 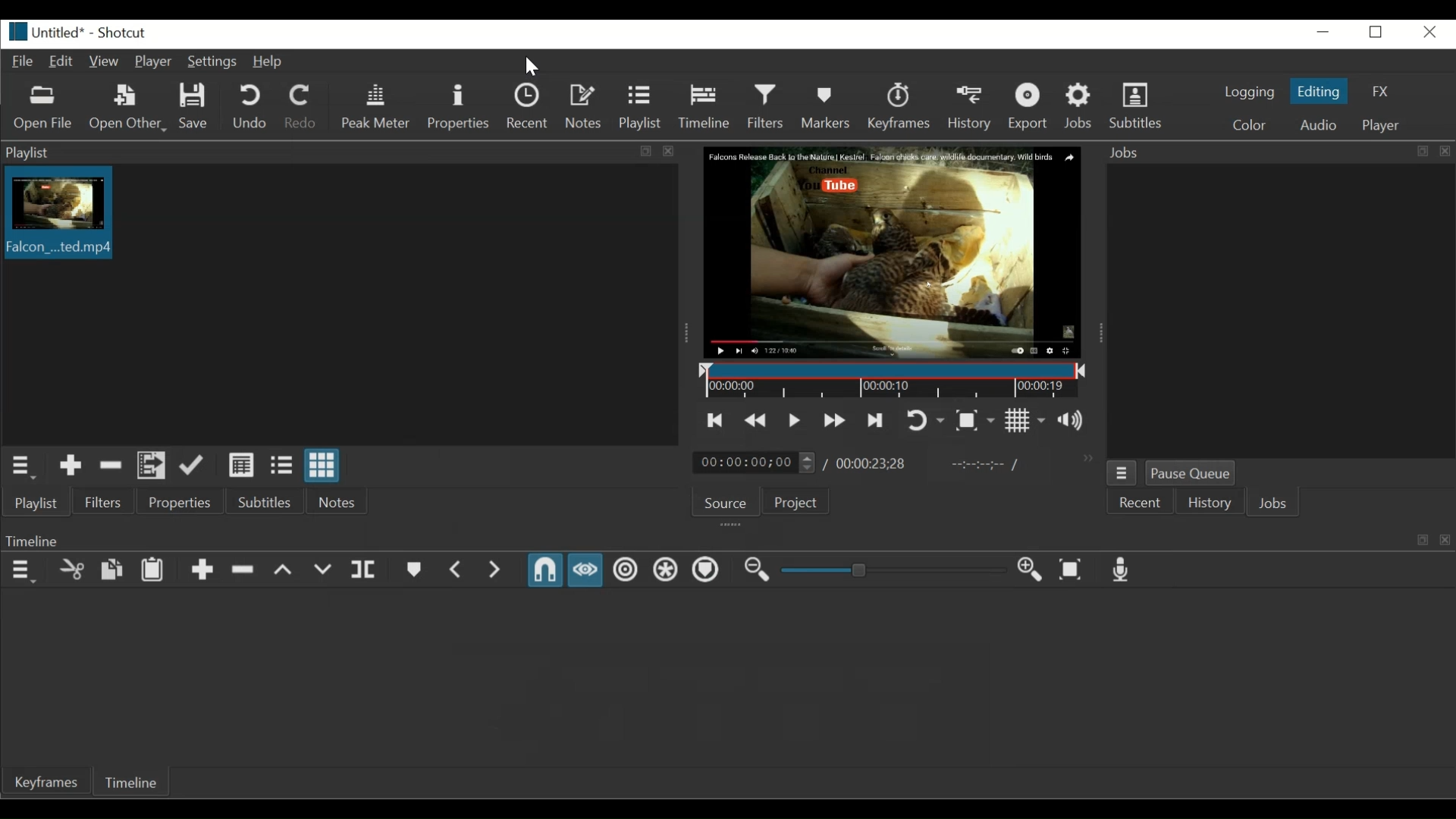 I want to click on Filters, so click(x=768, y=105).